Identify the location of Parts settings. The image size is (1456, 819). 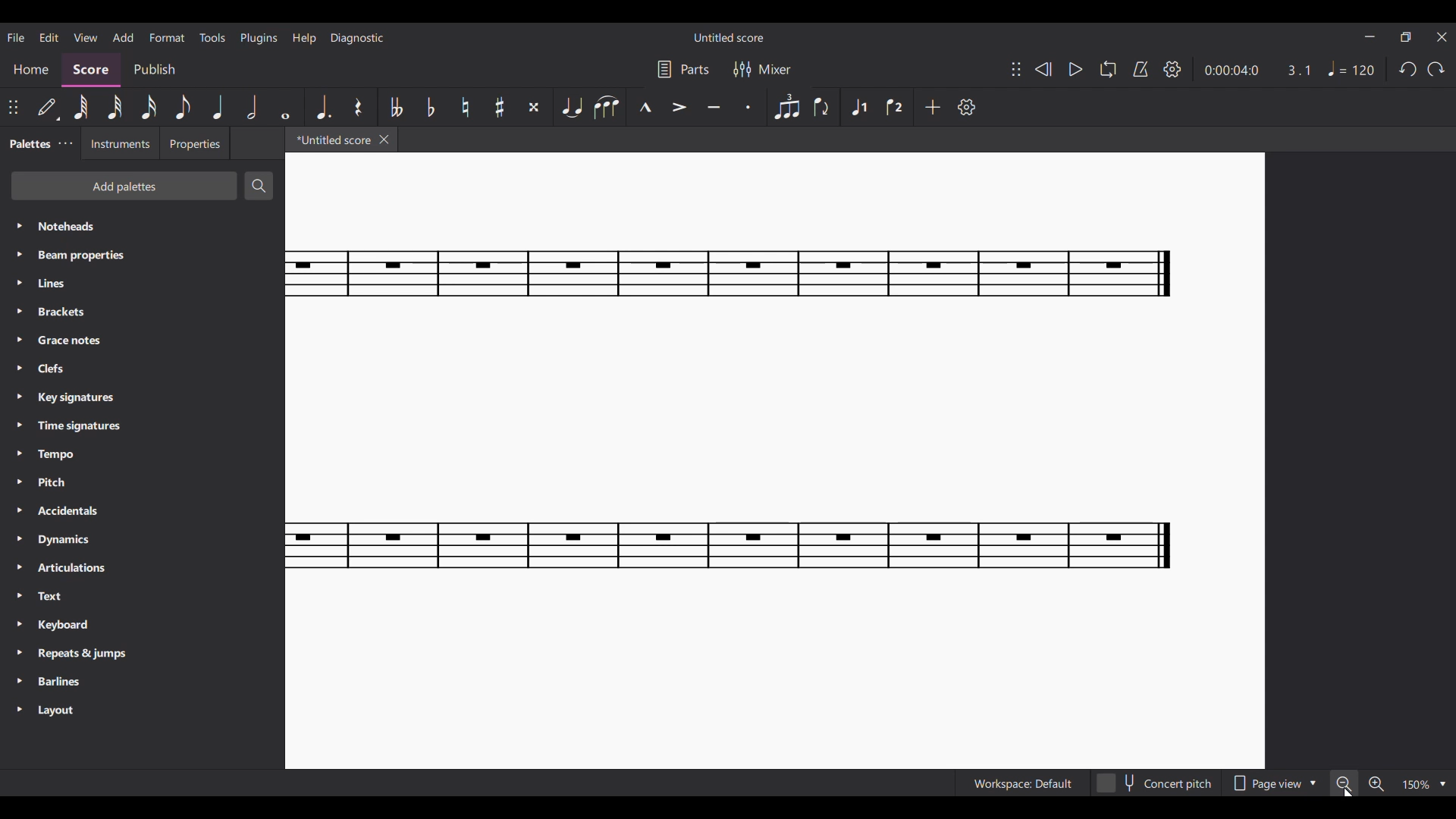
(684, 70).